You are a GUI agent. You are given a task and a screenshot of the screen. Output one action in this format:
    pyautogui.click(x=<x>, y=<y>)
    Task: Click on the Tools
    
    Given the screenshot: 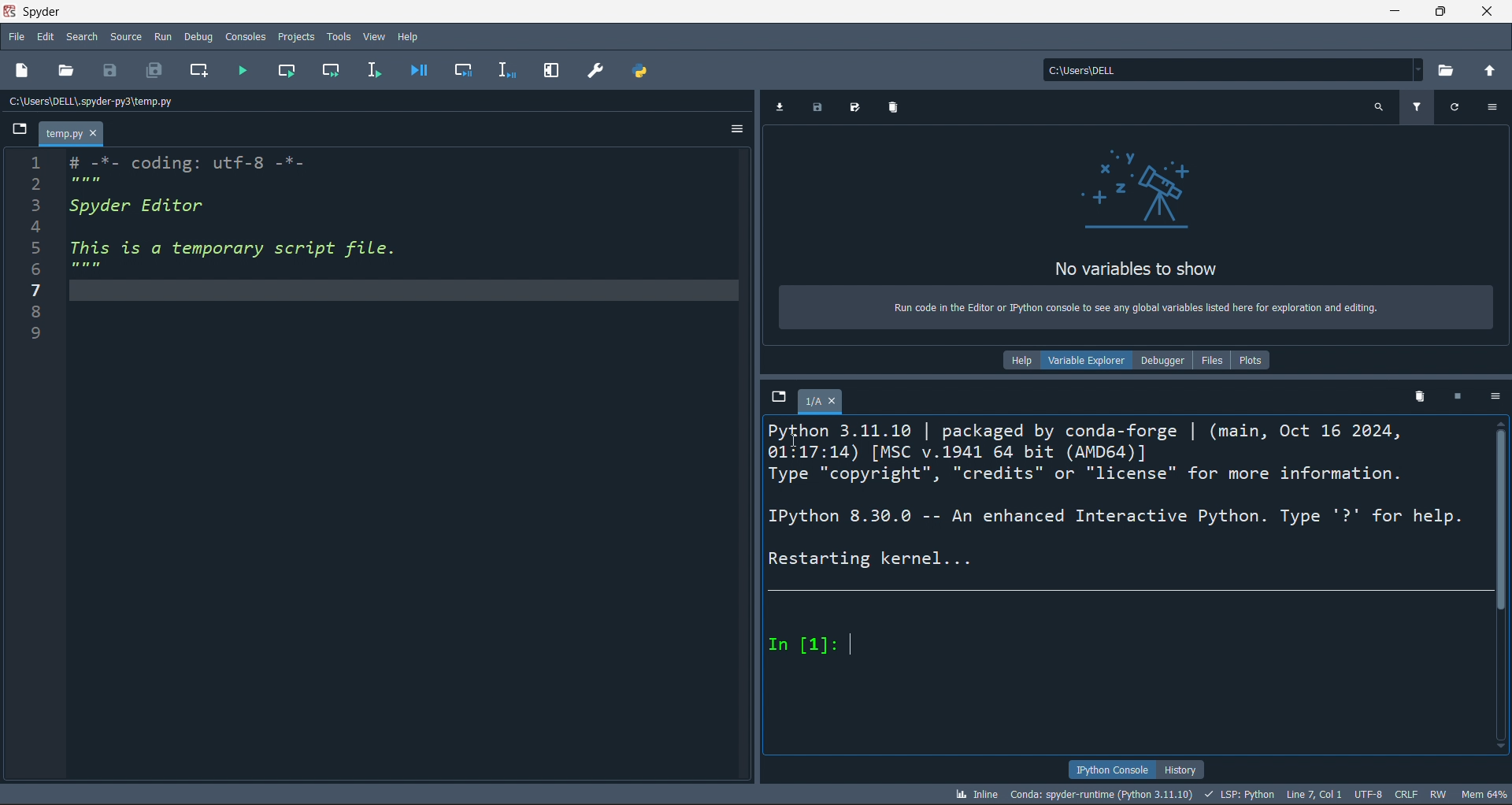 What is the action you would take?
    pyautogui.click(x=337, y=37)
    